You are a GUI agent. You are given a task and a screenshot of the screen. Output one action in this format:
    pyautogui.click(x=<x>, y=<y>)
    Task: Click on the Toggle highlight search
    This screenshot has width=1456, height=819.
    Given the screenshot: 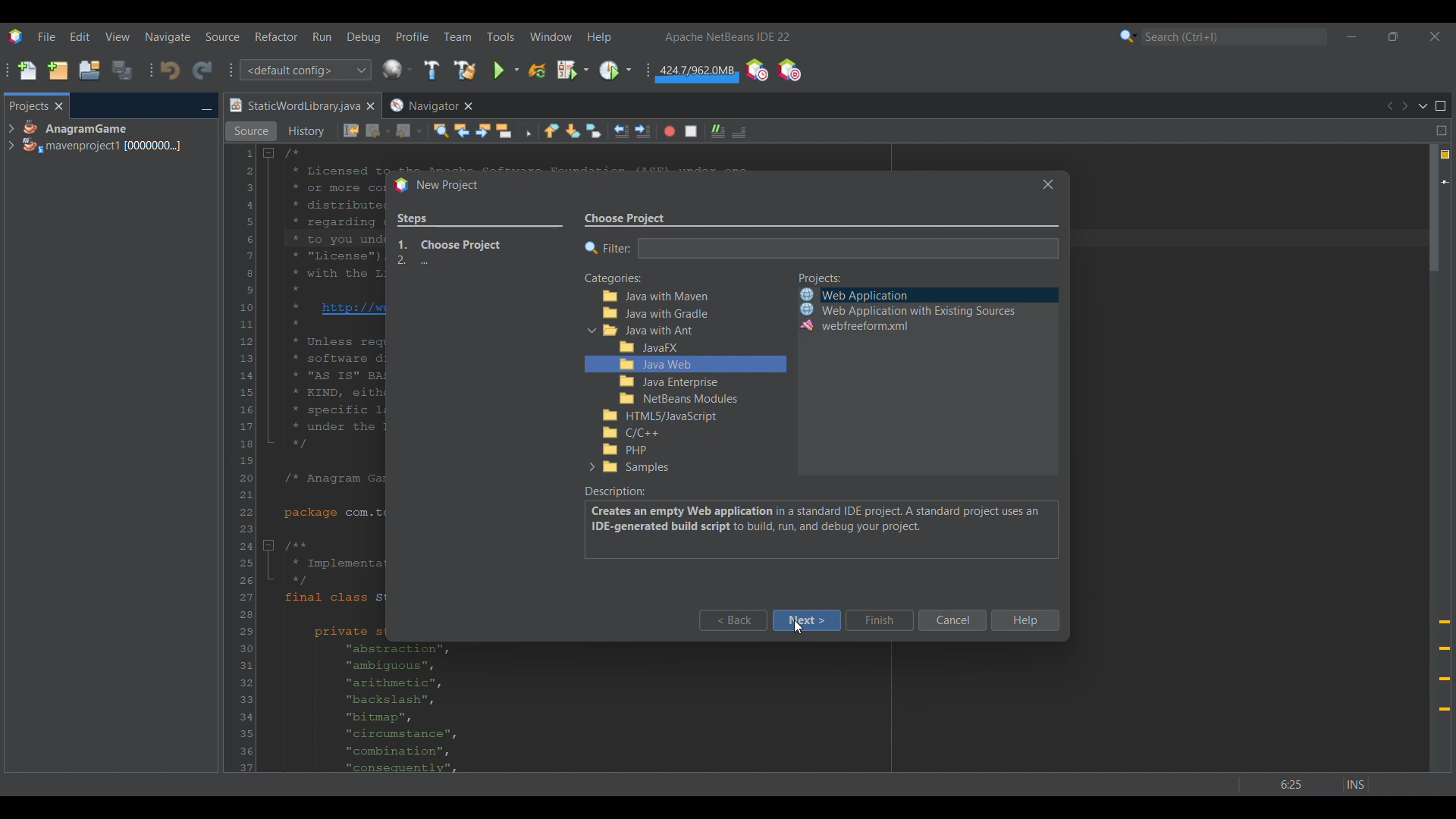 What is the action you would take?
    pyautogui.click(x=504, y=130)
    